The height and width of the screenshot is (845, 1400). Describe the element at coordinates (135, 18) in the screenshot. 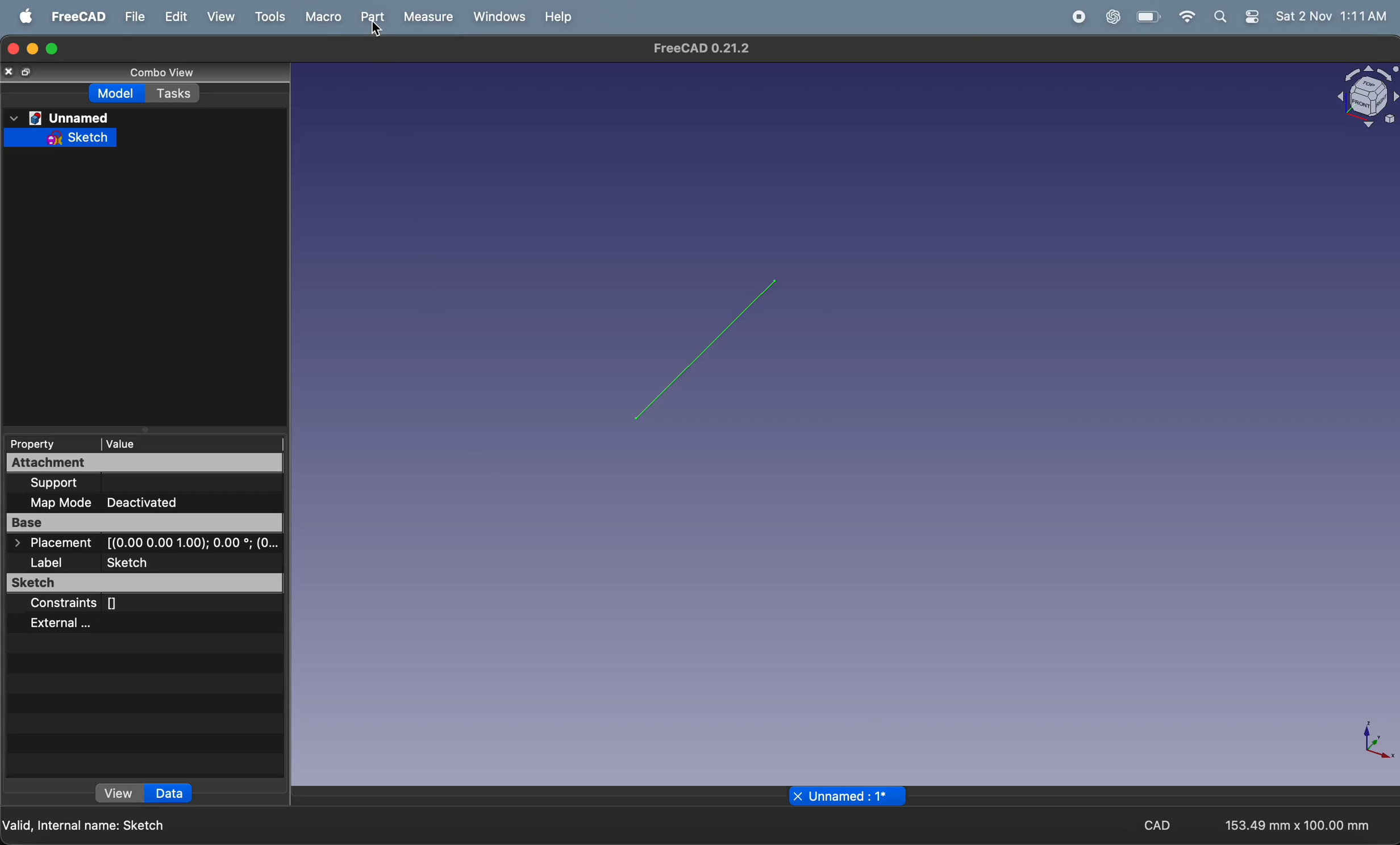

I see `file` at that location.